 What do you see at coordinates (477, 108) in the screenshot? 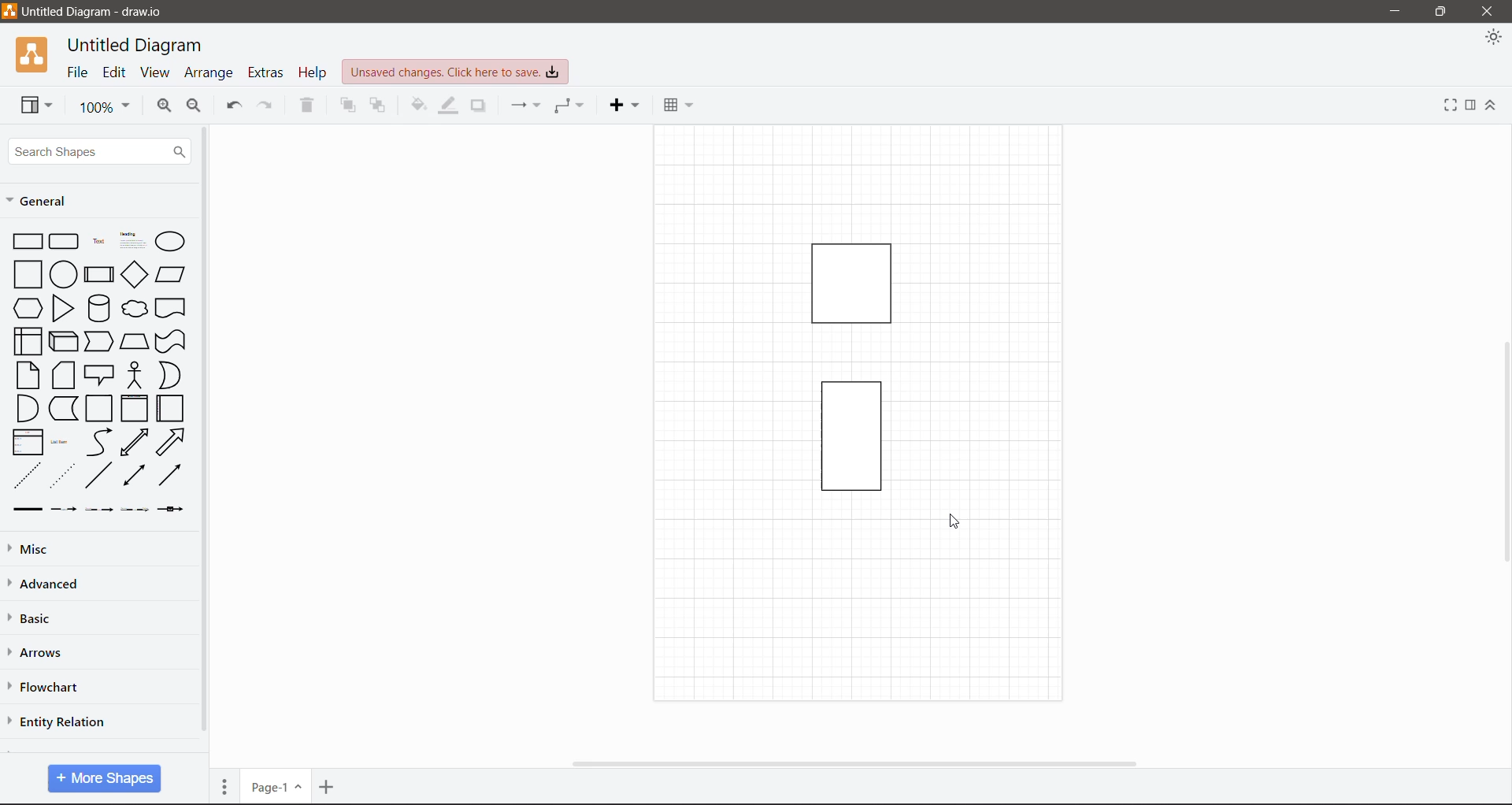
I see `Shadow` at bounding box center [477, 108].